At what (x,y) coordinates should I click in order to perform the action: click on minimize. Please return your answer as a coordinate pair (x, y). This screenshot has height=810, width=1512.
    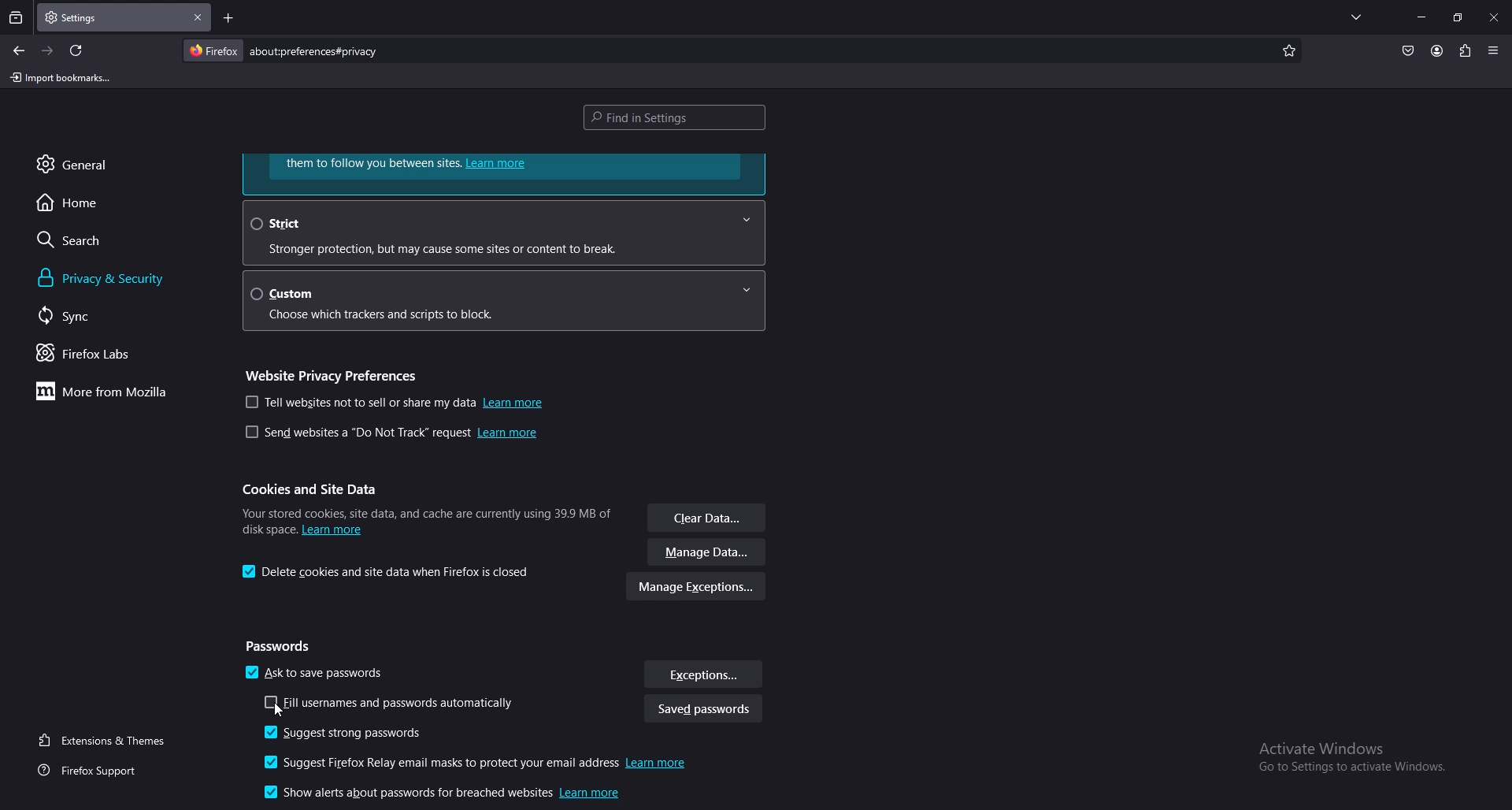
    Looking at the image, I should click on (1423, 17).